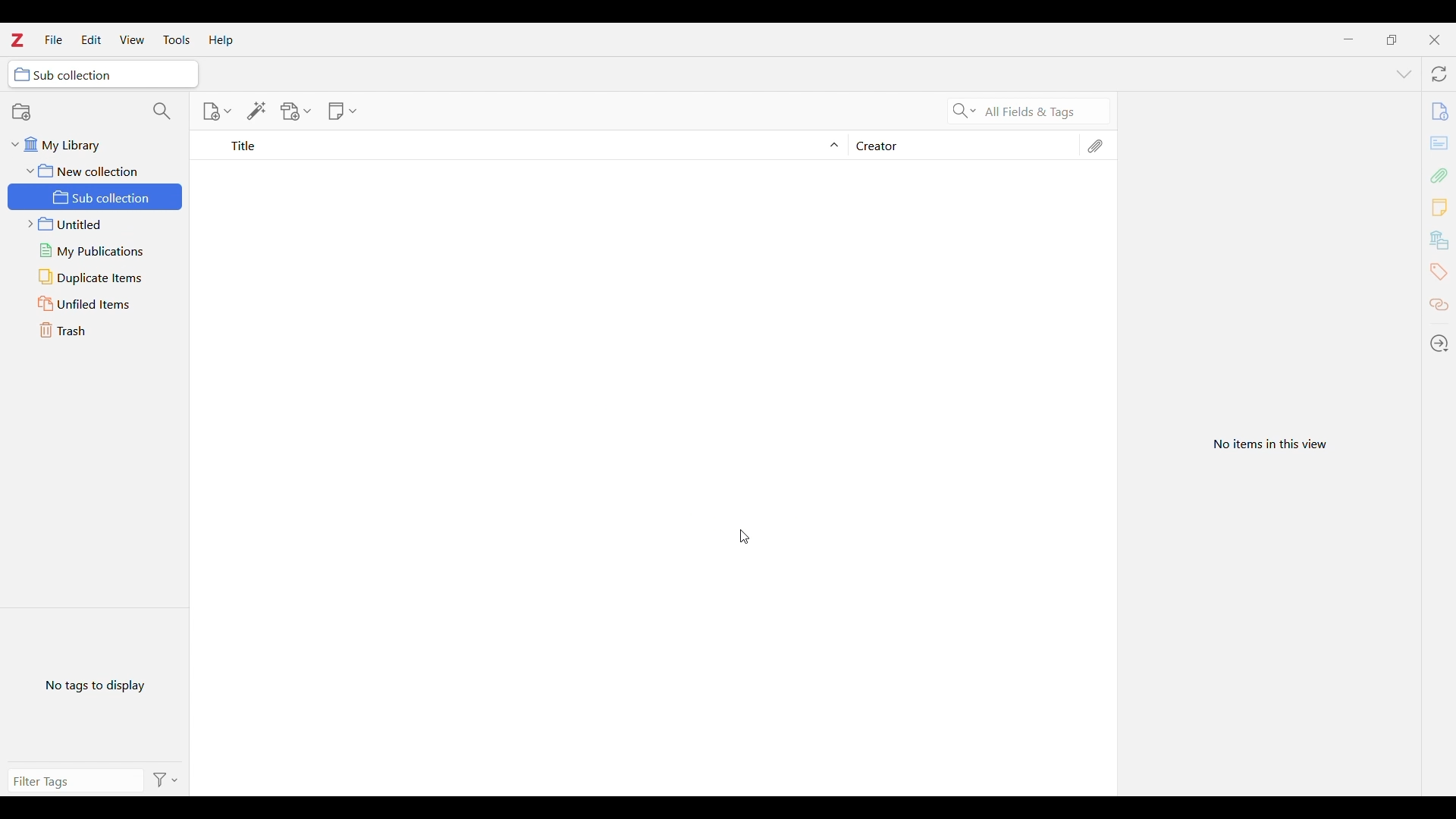 The image size is (1456, 819). What do you see at coordinates (177, 40) in the screenshot?
I see `Tools menu` at bounding box center [177, 40].